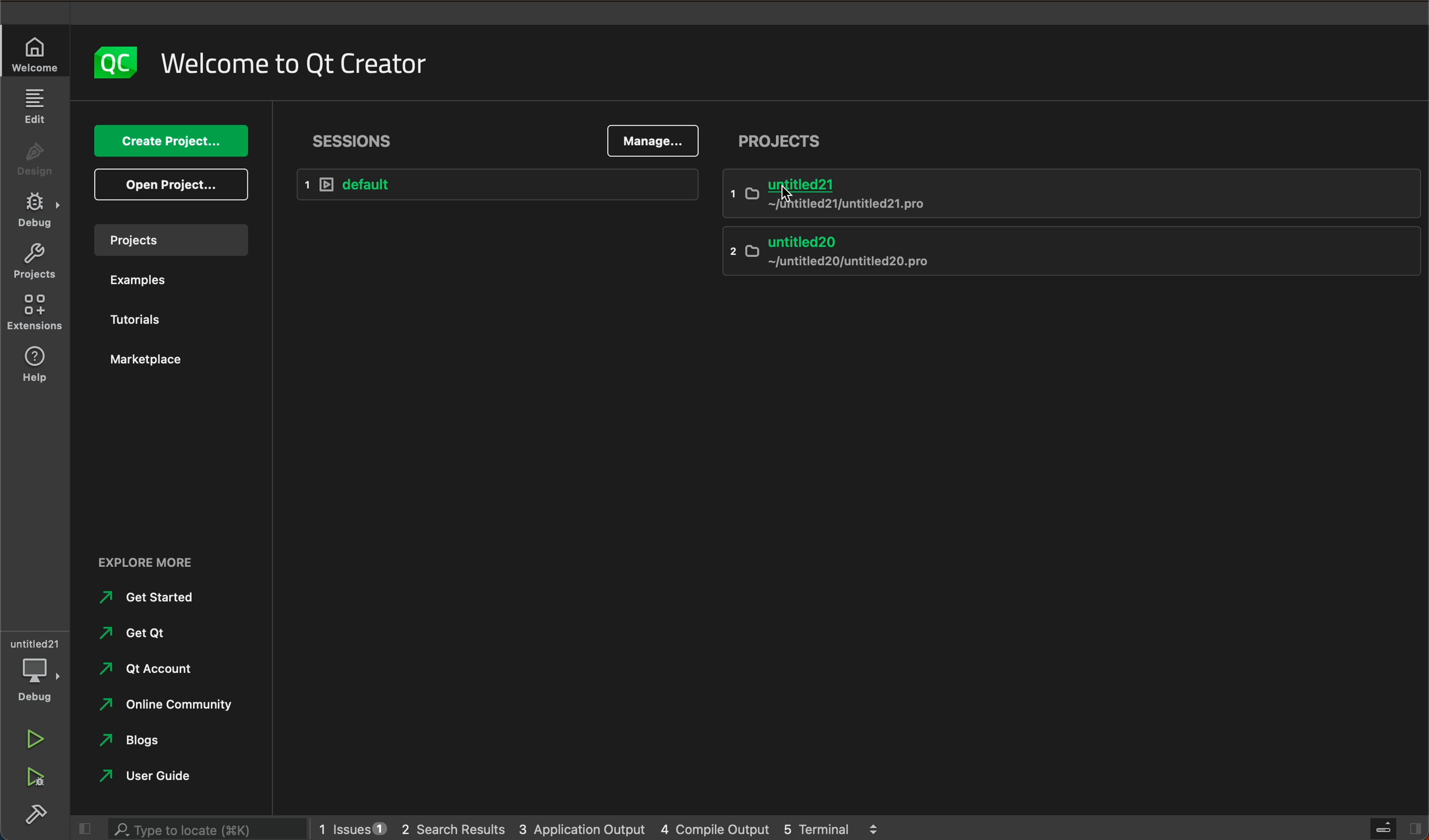  Describe the element at coordinates (36, 740) in the screenshot. I see `run` at that location.